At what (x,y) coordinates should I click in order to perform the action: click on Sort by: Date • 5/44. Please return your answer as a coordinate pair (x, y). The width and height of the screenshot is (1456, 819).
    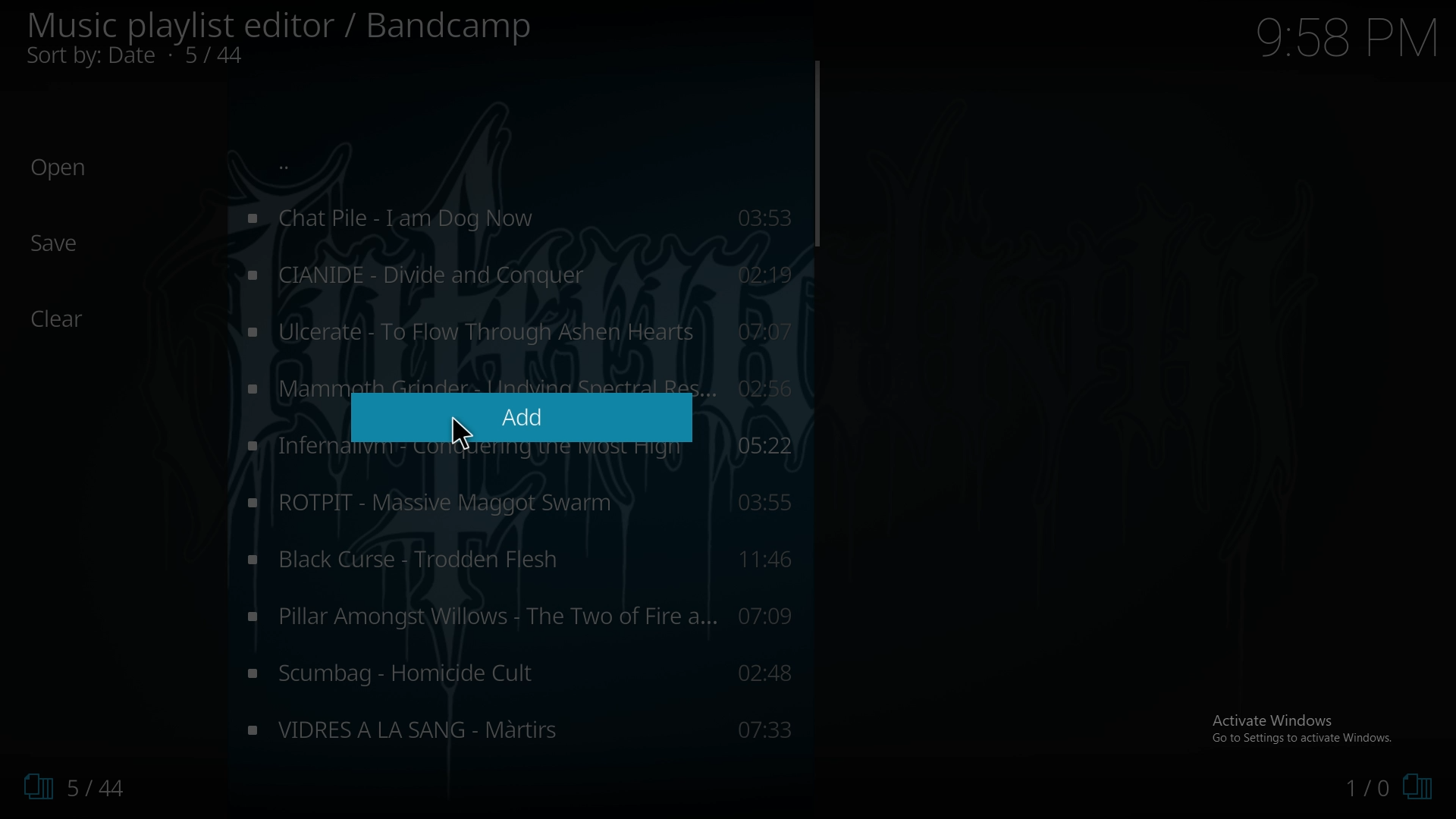
    Looking at the image, I should click on (161, 58).